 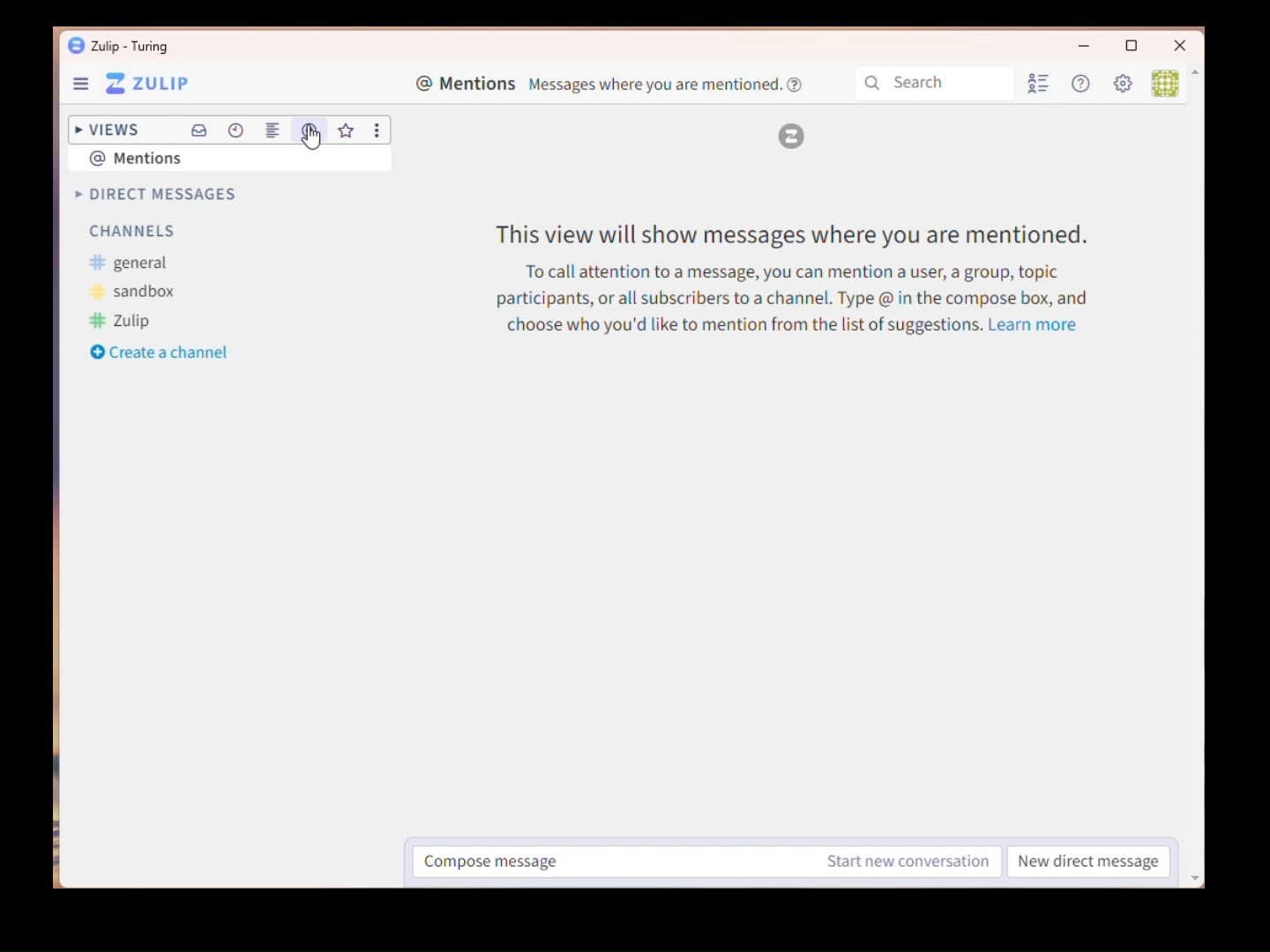 I want to click on Merge, so click(x=275, y=131).